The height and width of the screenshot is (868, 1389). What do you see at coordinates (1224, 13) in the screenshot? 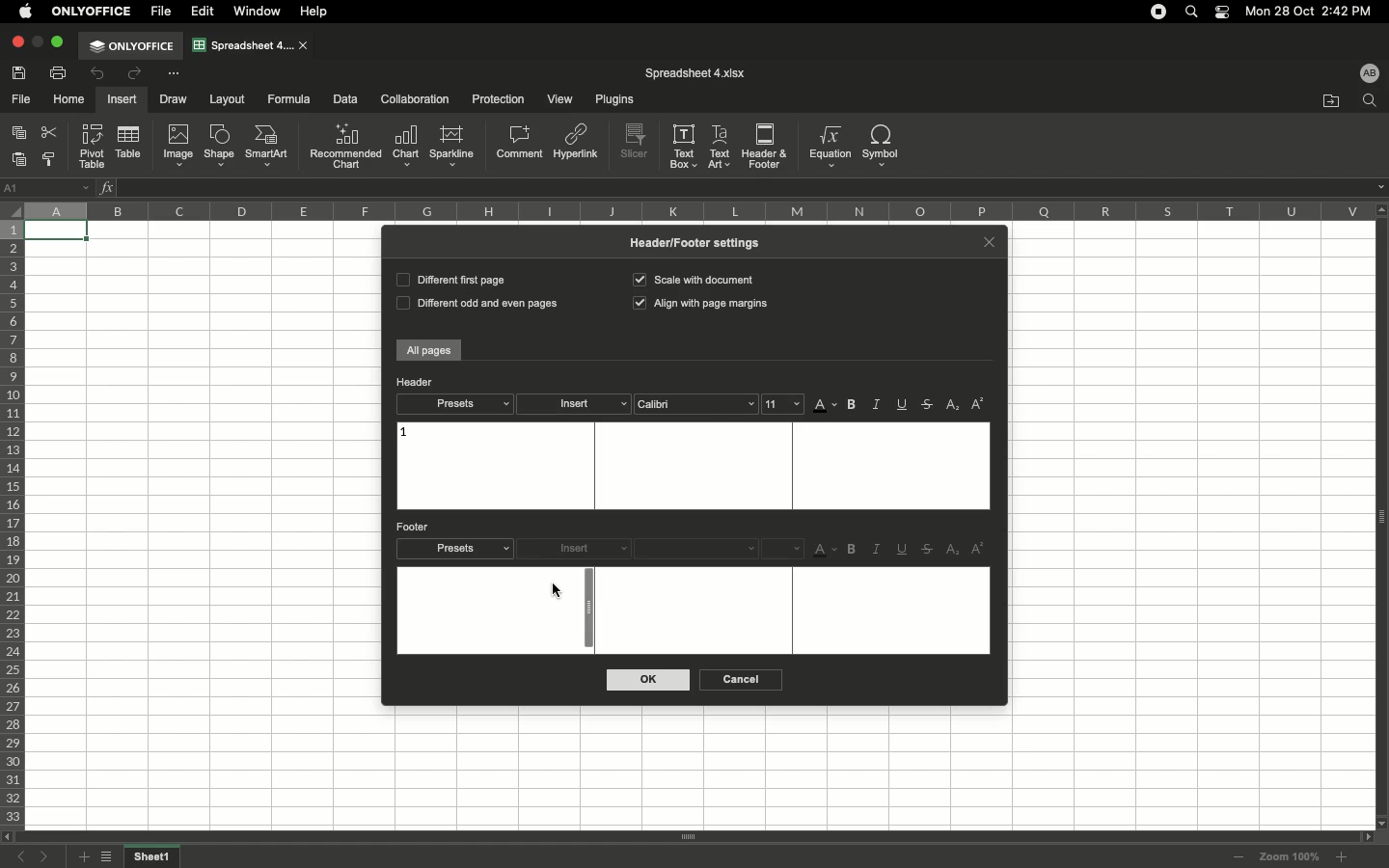
I see `Notification` at bounding box center [1224, 13].